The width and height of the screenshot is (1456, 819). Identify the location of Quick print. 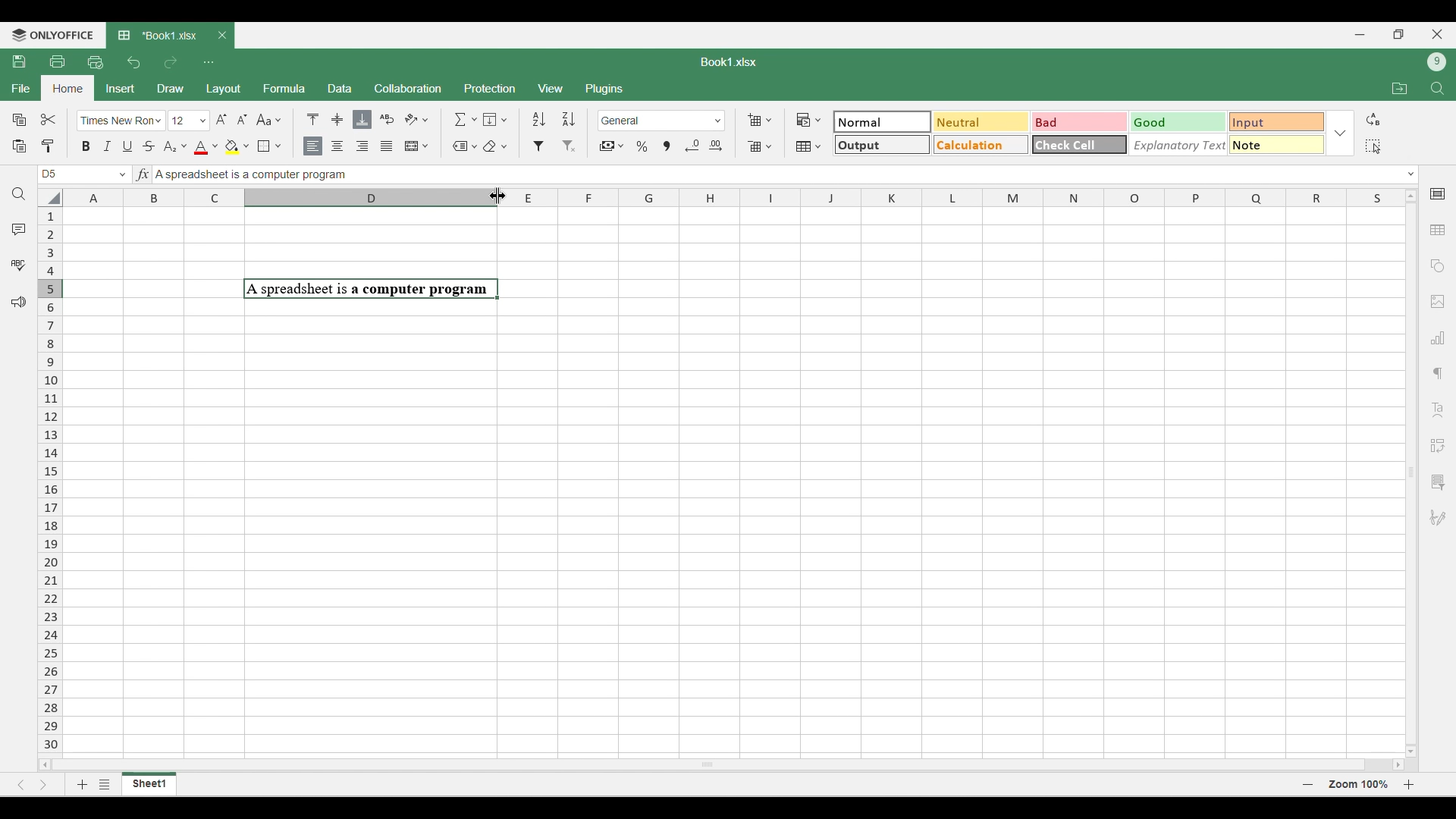
(96, 62).